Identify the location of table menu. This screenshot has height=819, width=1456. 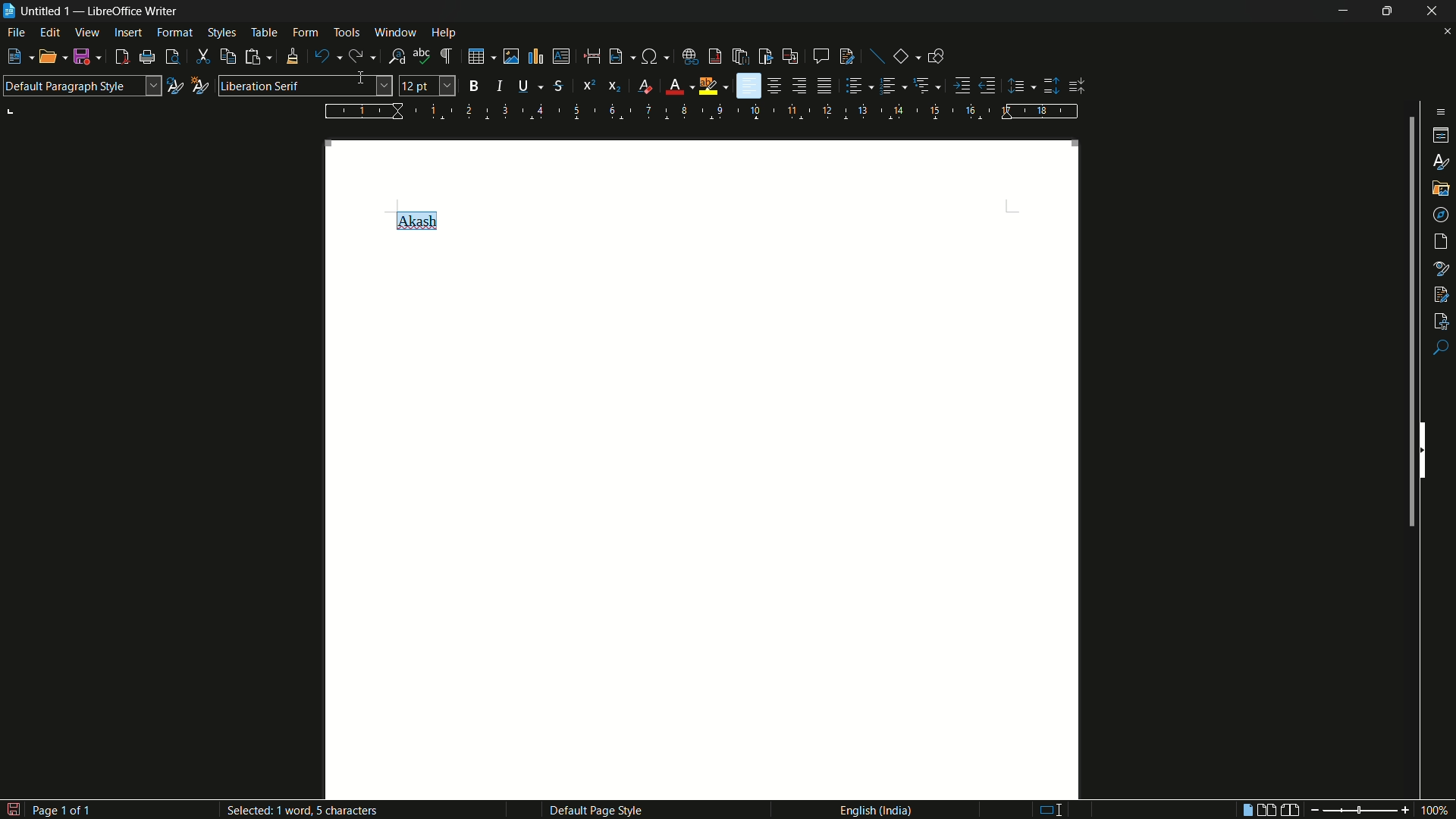
(264, 33).